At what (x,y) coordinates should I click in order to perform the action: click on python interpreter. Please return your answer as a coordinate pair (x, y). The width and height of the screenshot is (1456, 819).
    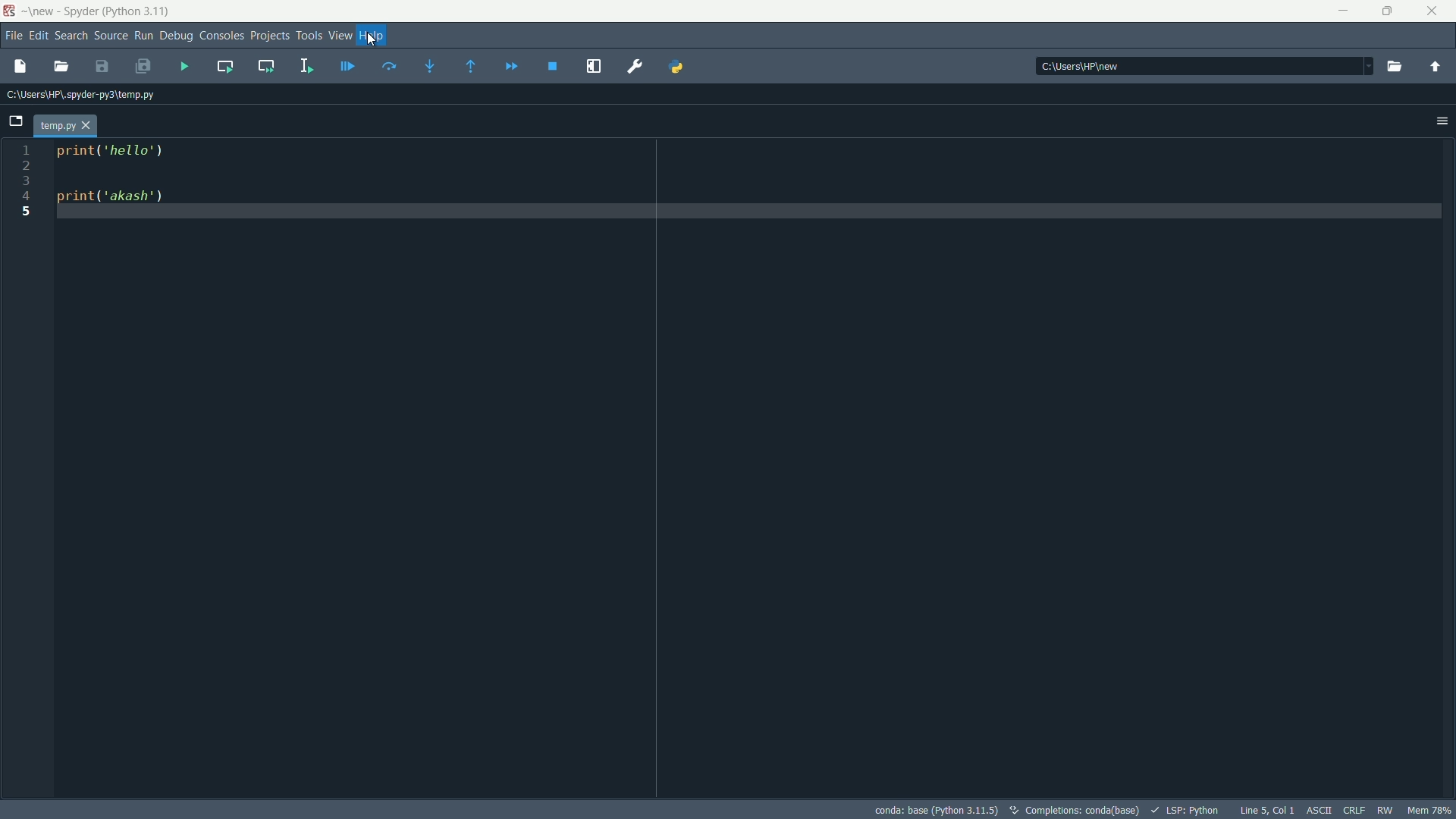
    Looking at the image, I should click on (927, 809).